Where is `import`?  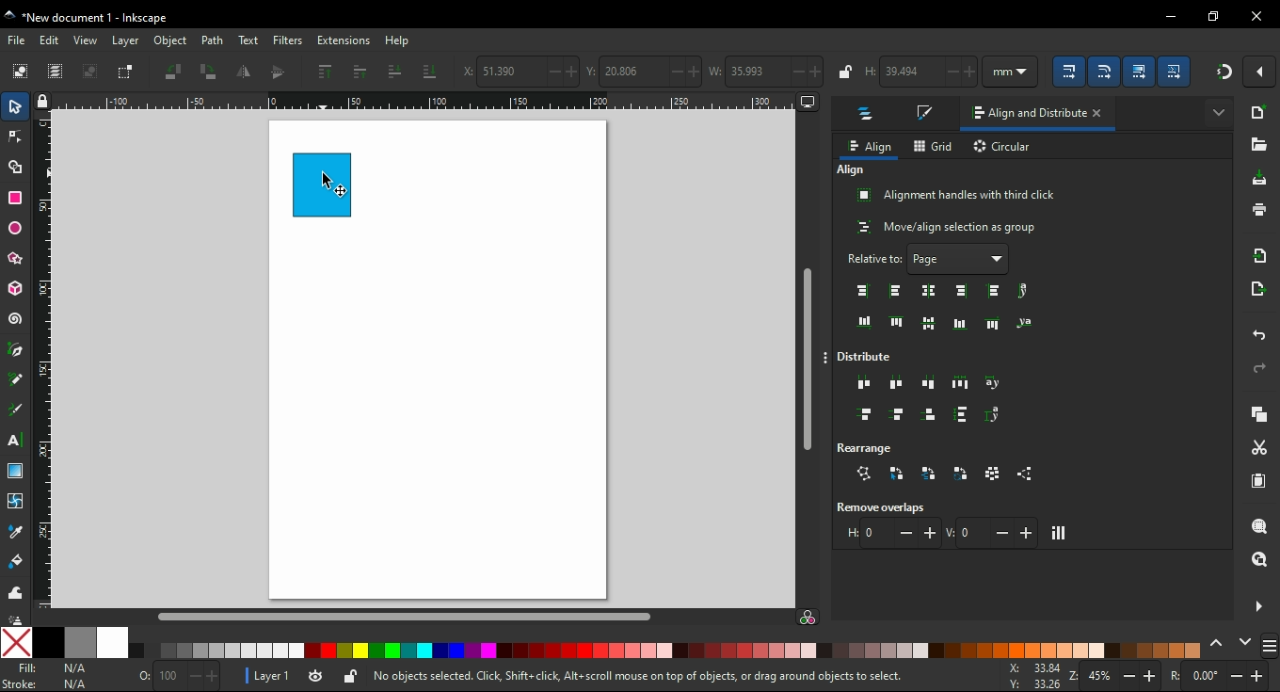
import is located at coordinates (1263, 255).